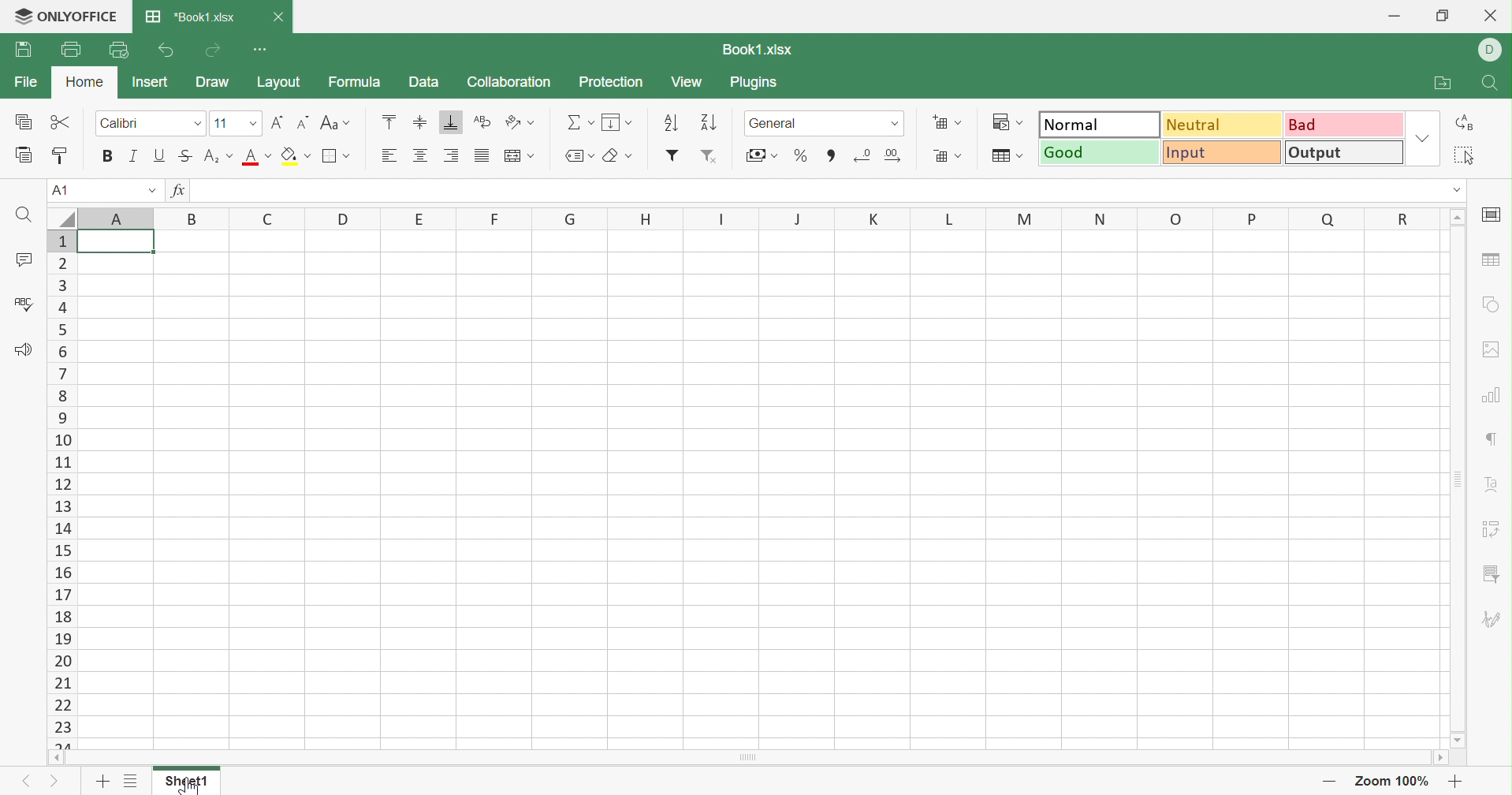  Describe the element at coordinates (155, 188) in the screenshot. I see `Drop Down` at that location.